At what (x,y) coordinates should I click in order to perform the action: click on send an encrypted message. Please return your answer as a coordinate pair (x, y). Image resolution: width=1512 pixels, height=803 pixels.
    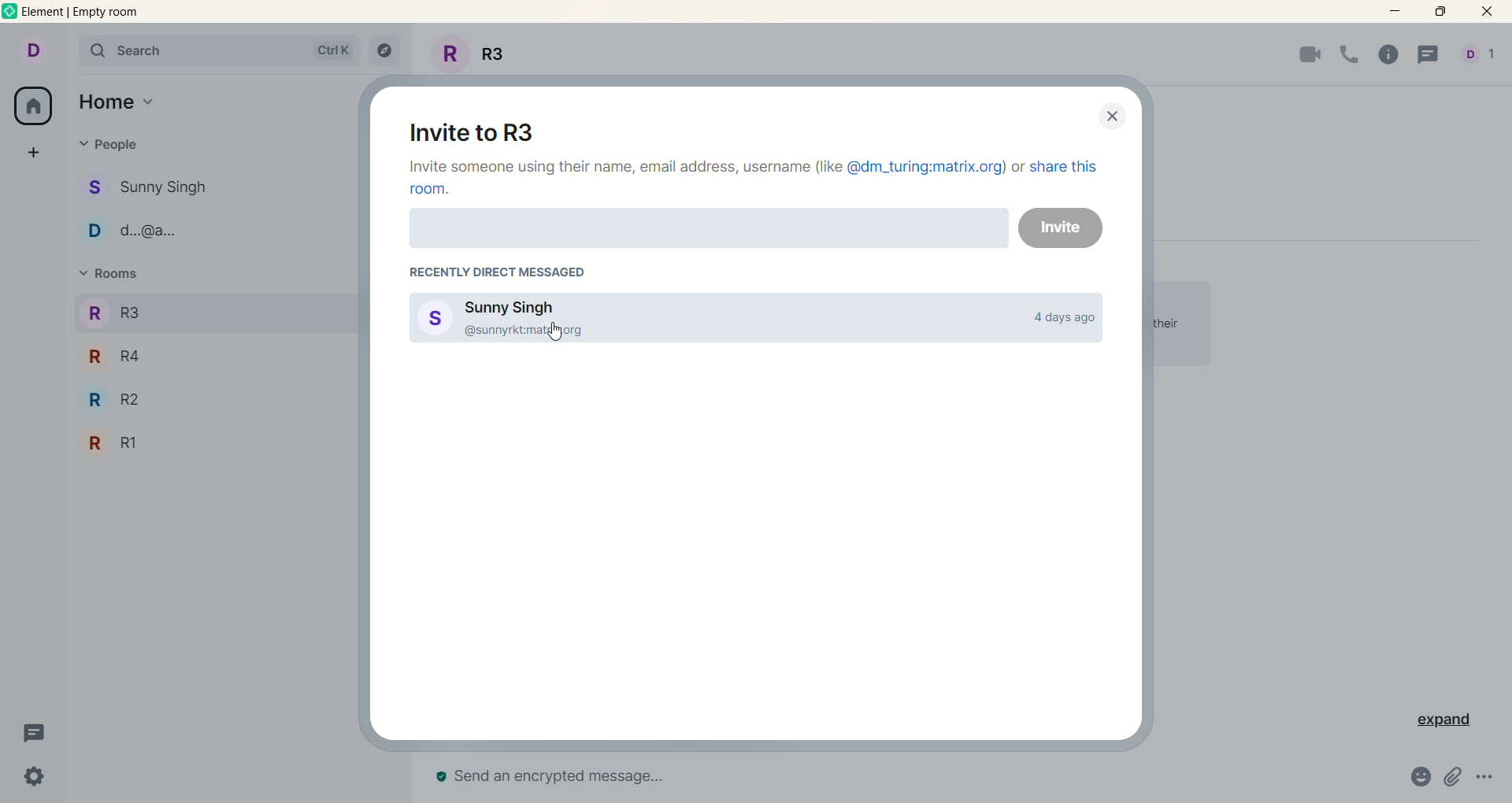
    Looking at the image, I should click on (602, 779).